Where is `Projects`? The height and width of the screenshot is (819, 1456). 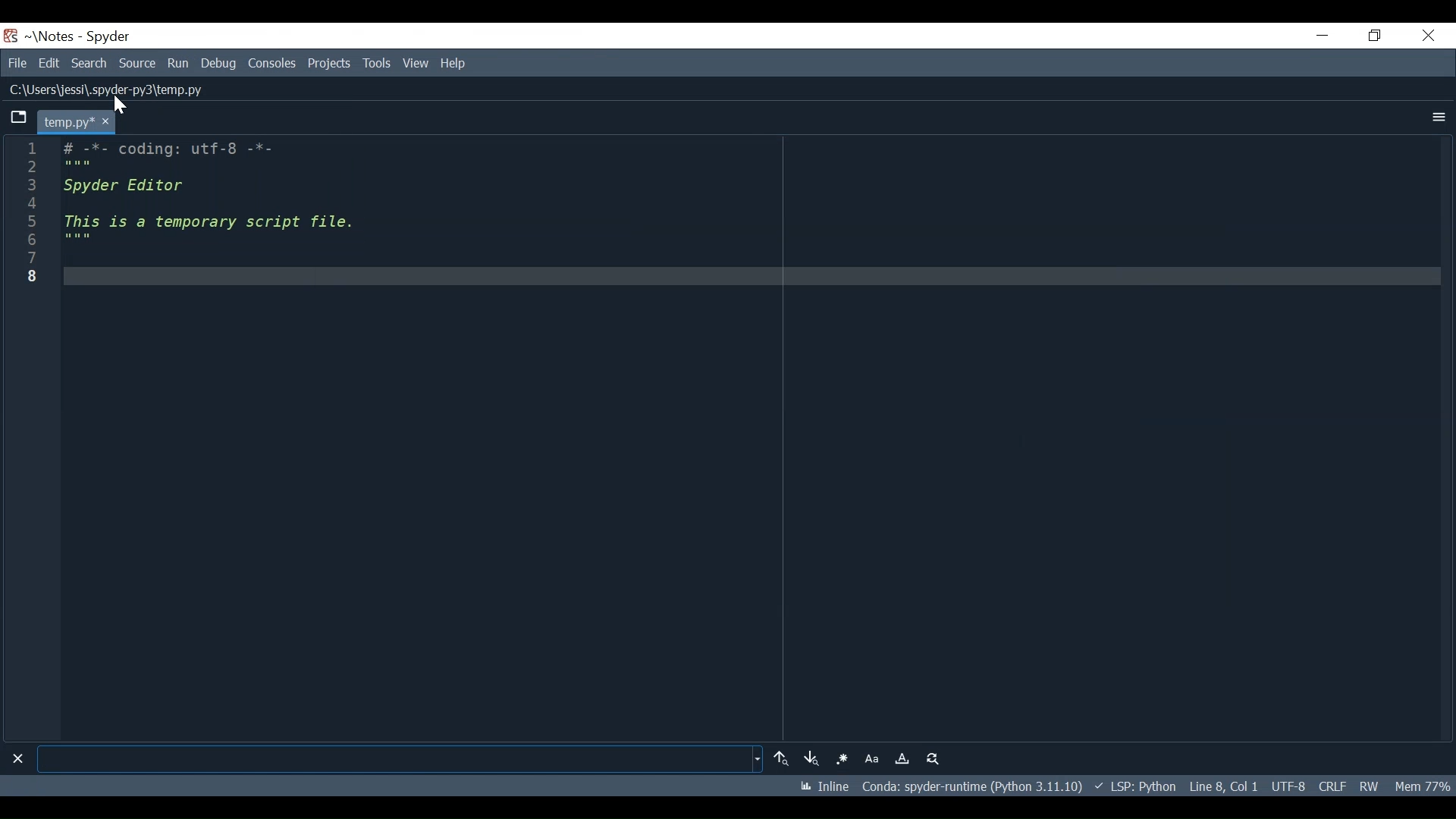 Projects is located at coordinates (329, 64).